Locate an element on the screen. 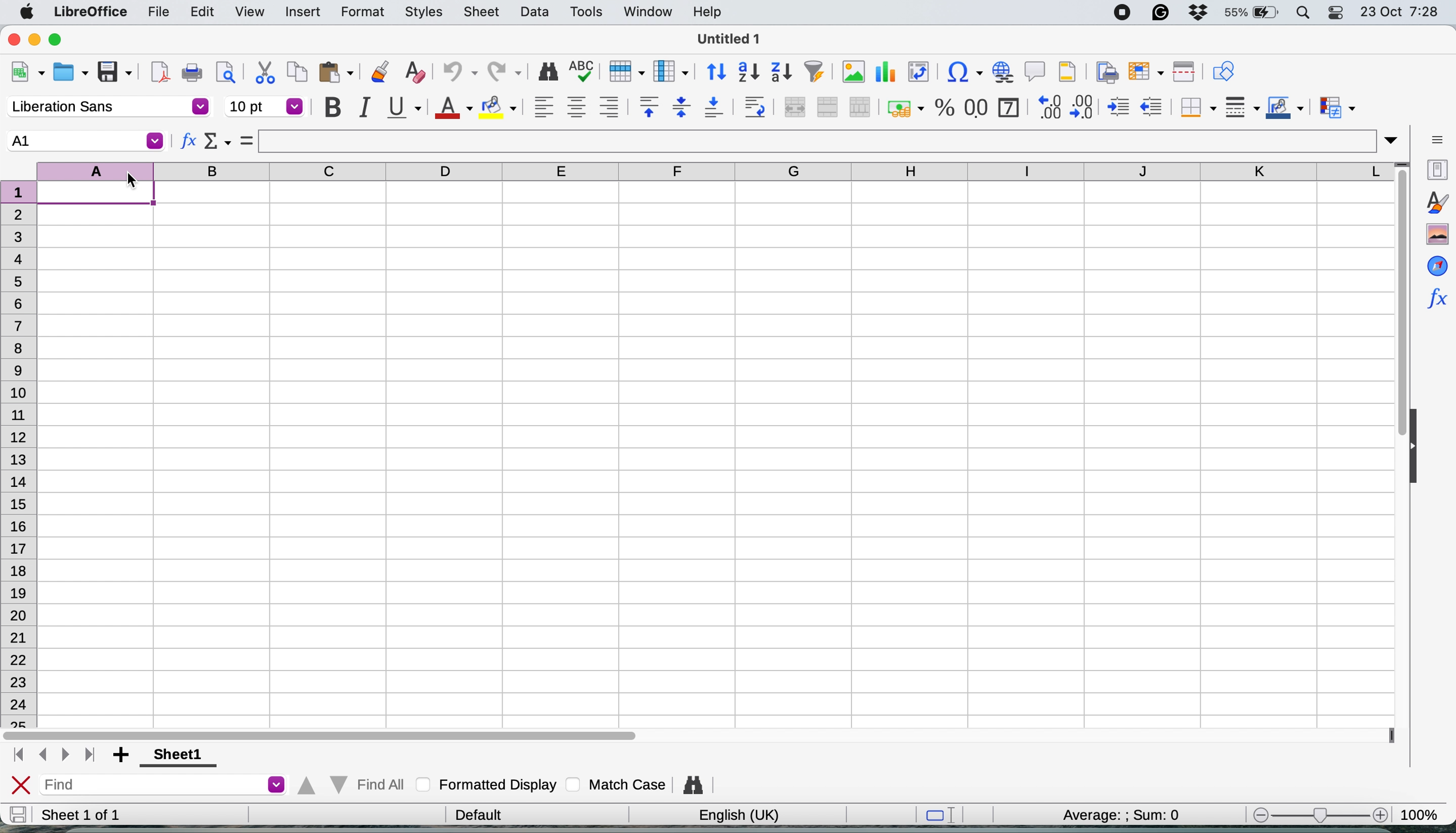  clone formatting is located at coordinates (378, 74).